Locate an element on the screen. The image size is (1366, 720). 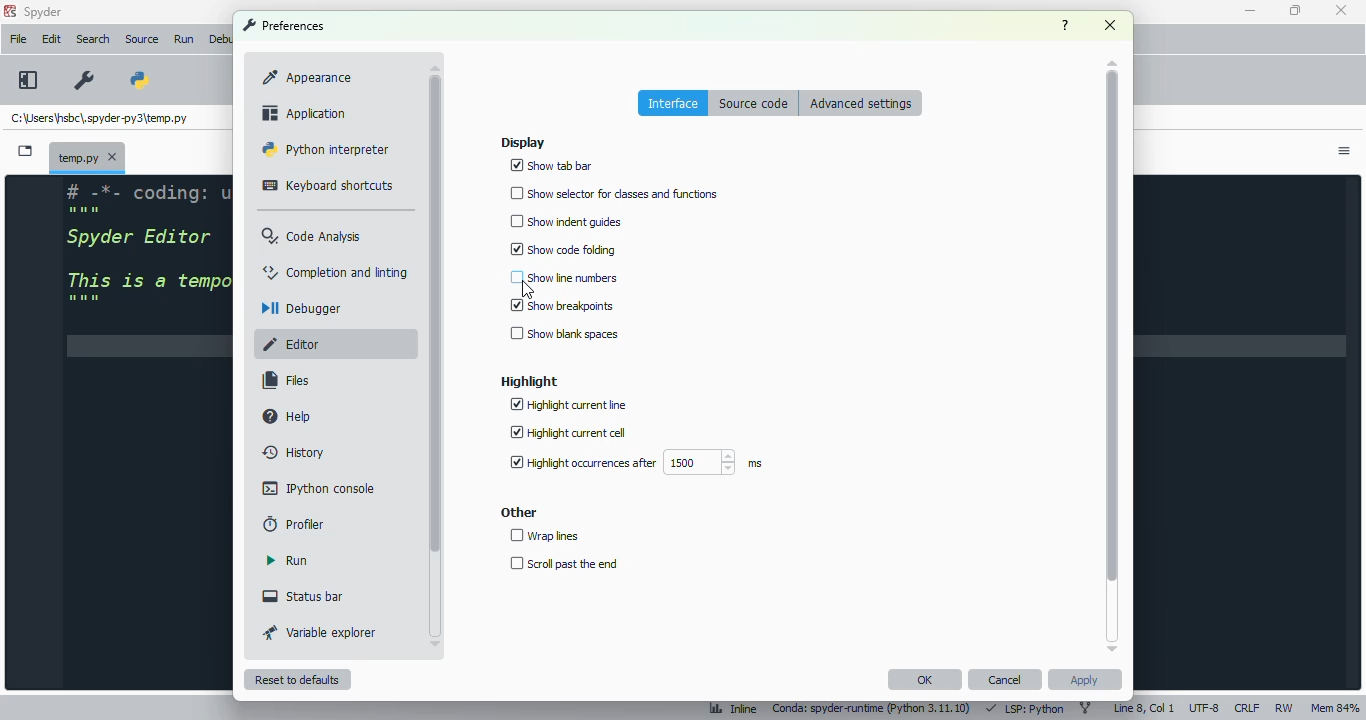
cancel is located at coordinates (1006, 680).